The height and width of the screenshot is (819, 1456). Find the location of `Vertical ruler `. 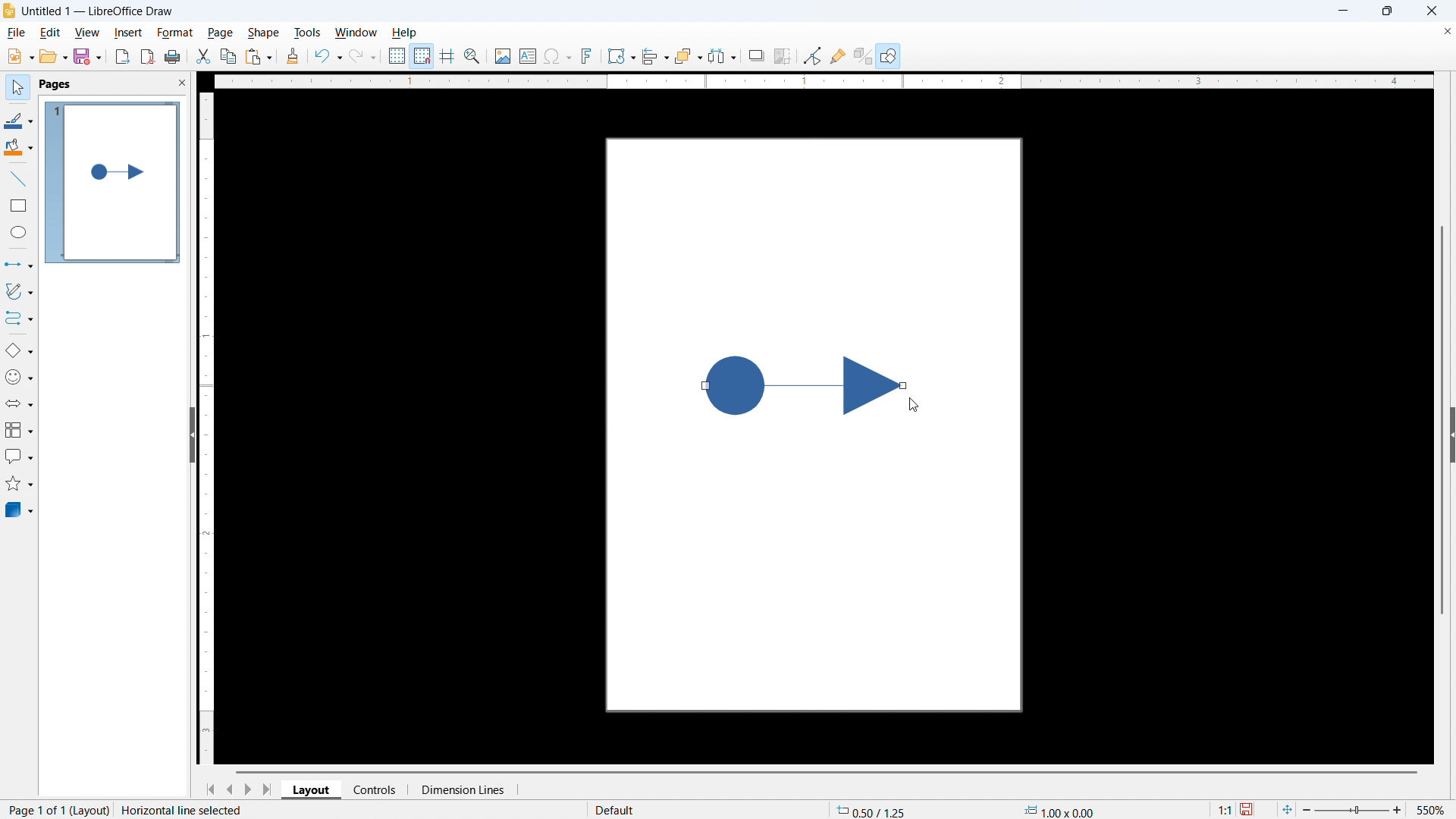

Vertical ruler  is located at coordinates (207, 428).